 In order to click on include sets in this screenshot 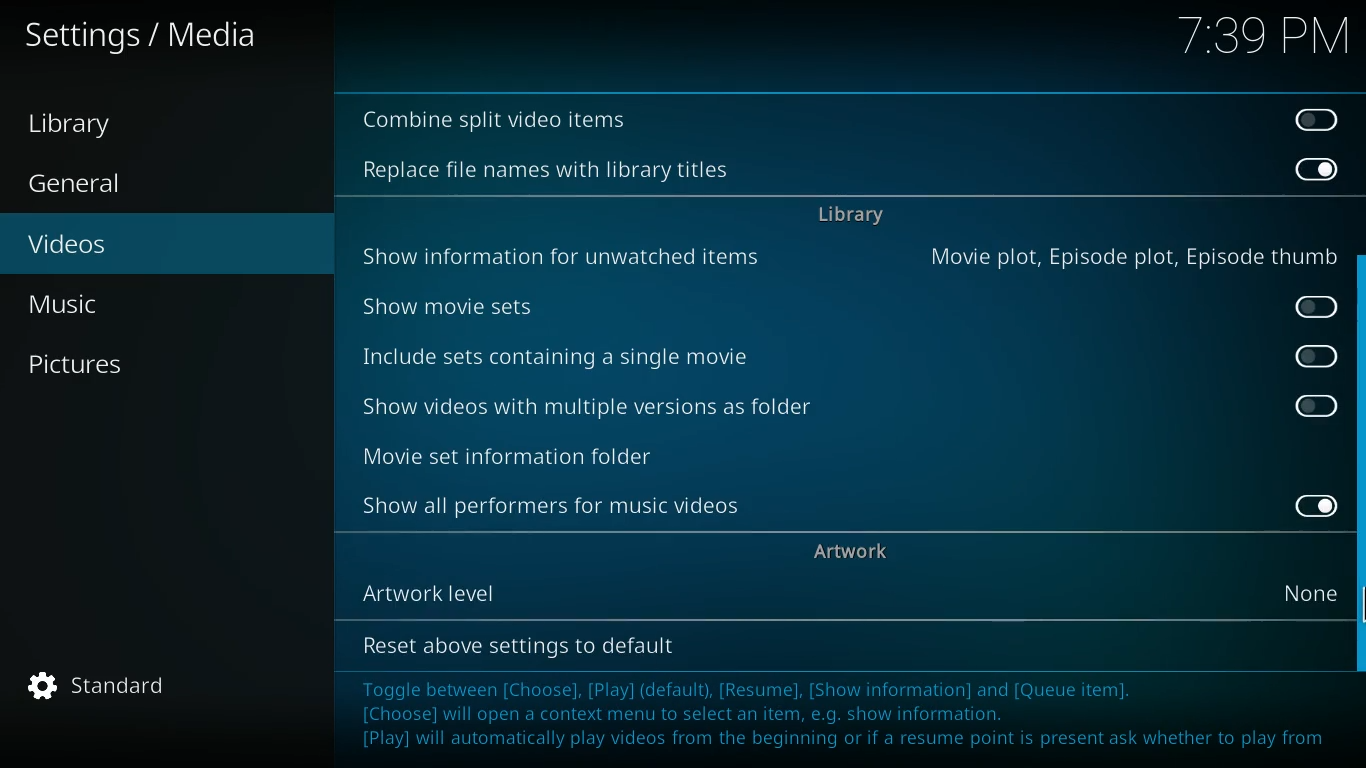, I will do `click(596, 359)`.